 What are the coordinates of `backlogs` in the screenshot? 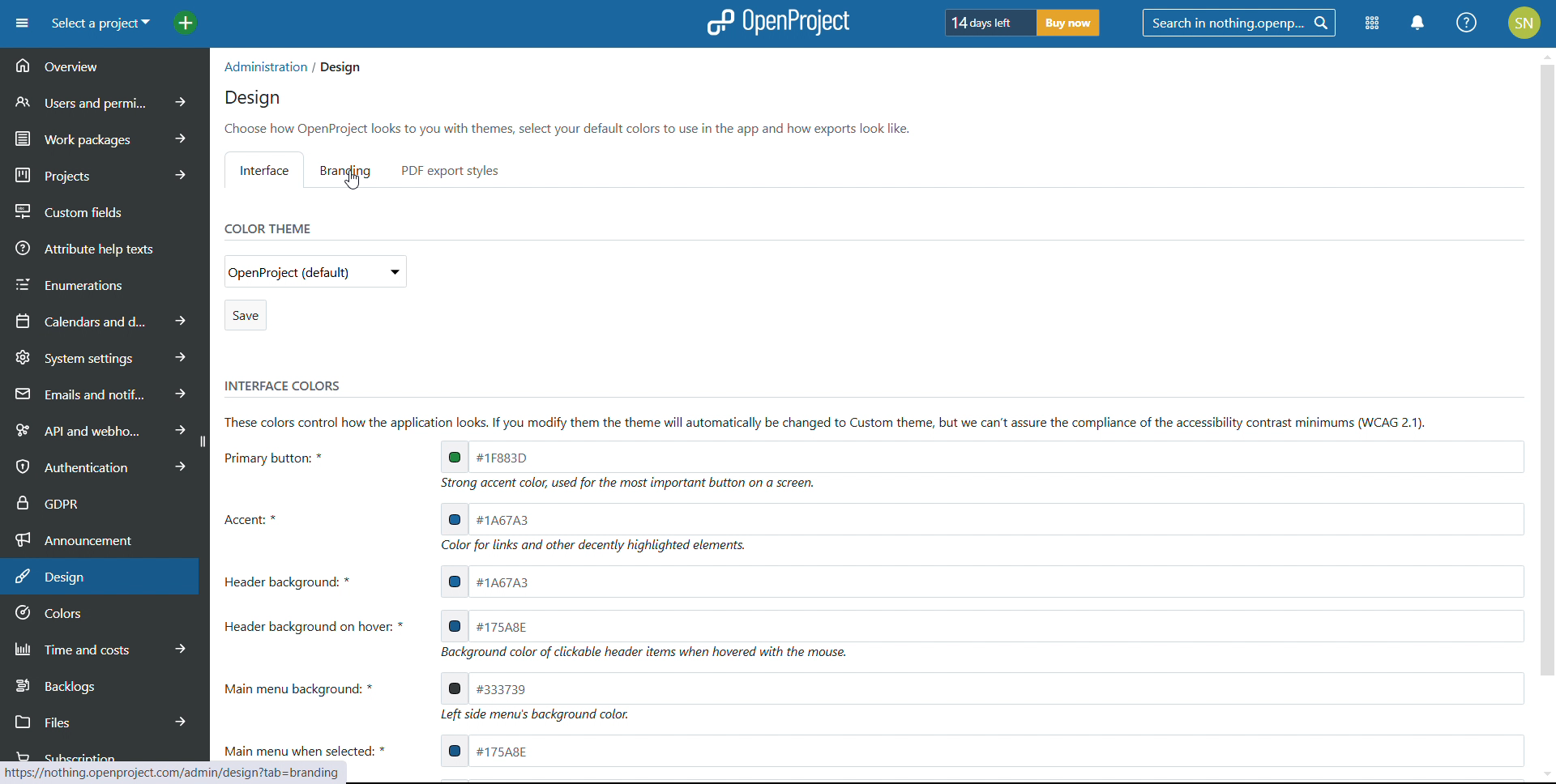 It's located at (102, 684).